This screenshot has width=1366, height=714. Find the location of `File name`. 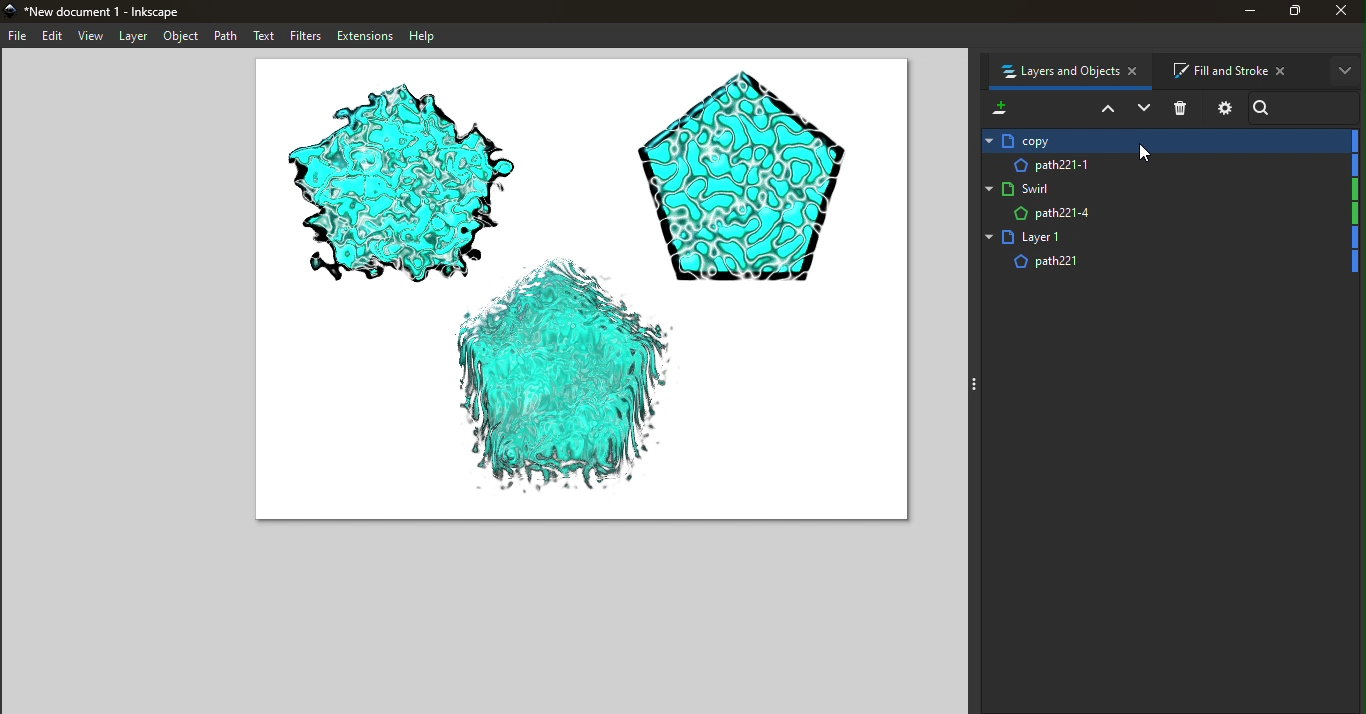

File name is located at coordinates (107, 12).